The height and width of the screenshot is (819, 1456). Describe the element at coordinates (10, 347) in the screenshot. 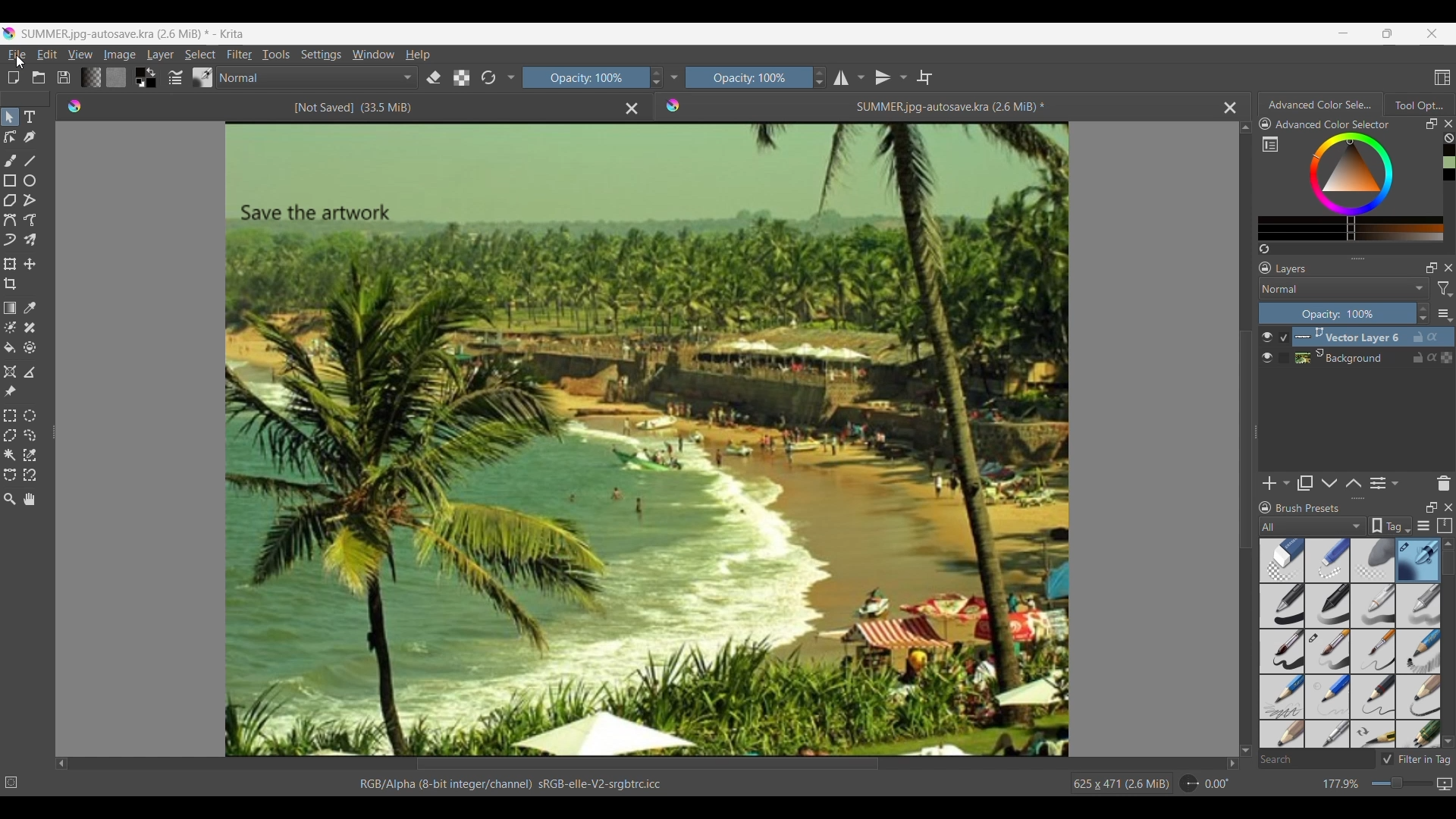

I see `Fill tool` at that location.